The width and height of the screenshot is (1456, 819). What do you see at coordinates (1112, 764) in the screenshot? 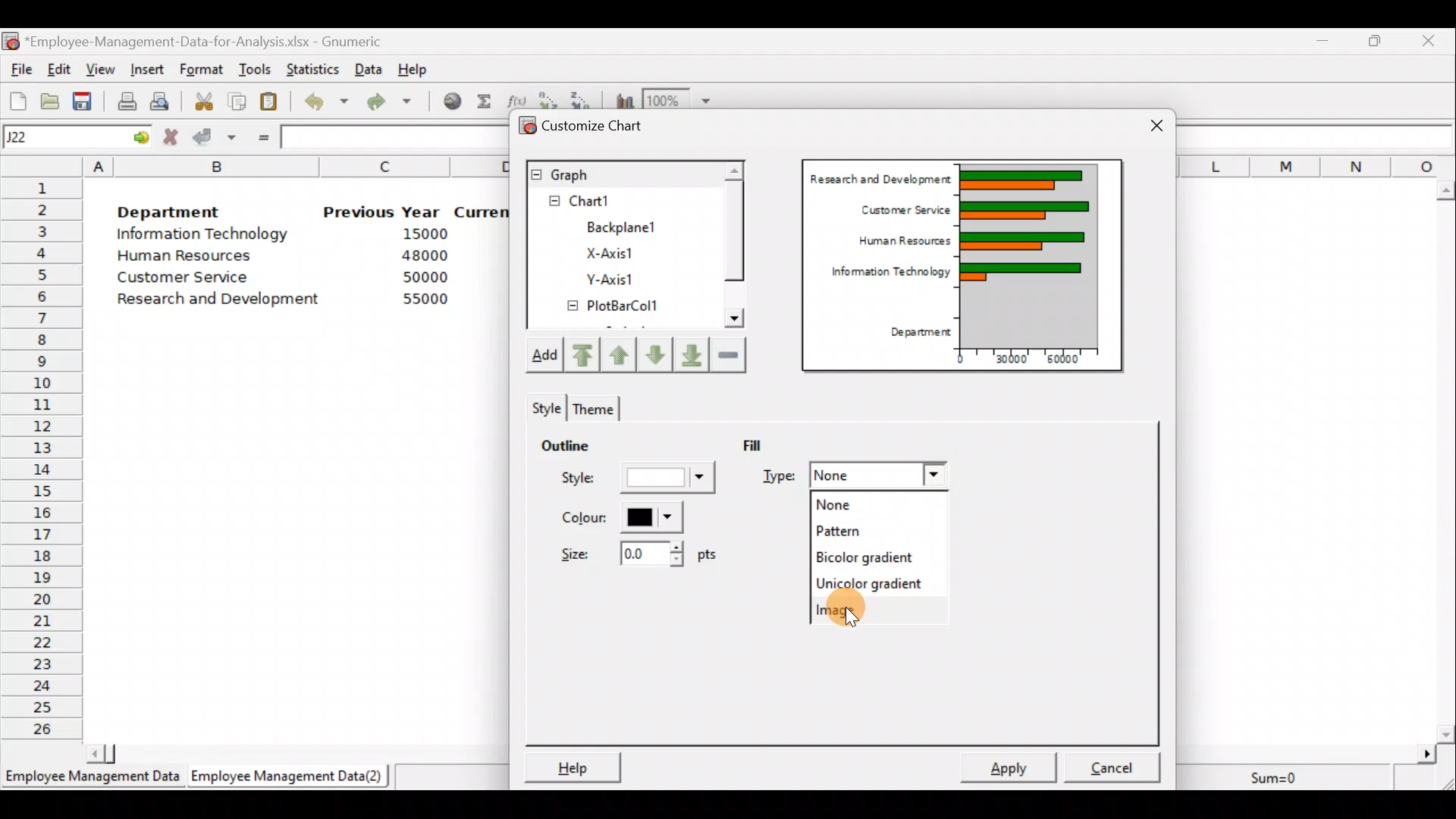
I see `Cancel` at bounding box center [1112, 764].